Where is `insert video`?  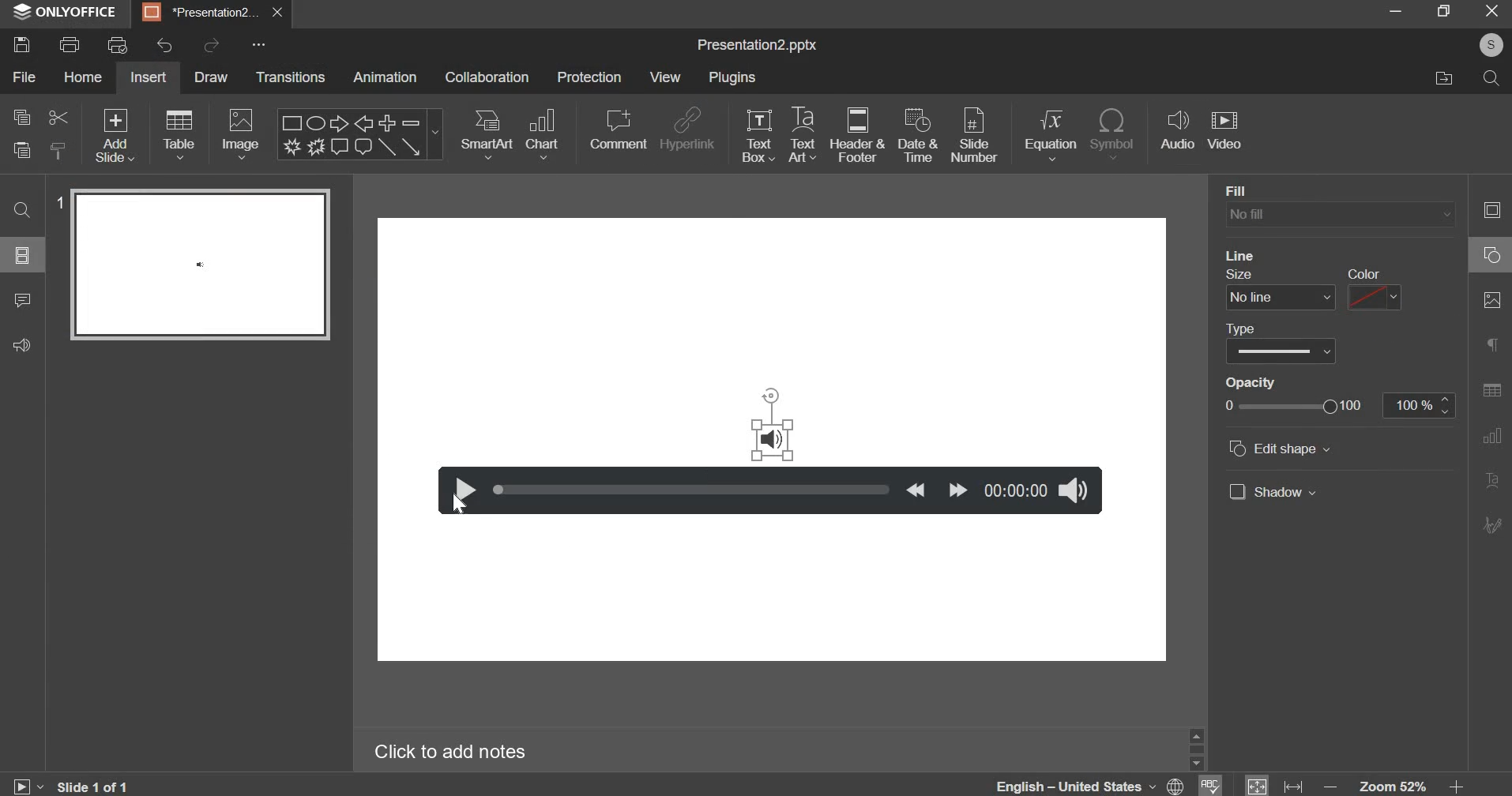
insert video is located at coordinates (1228, 133).